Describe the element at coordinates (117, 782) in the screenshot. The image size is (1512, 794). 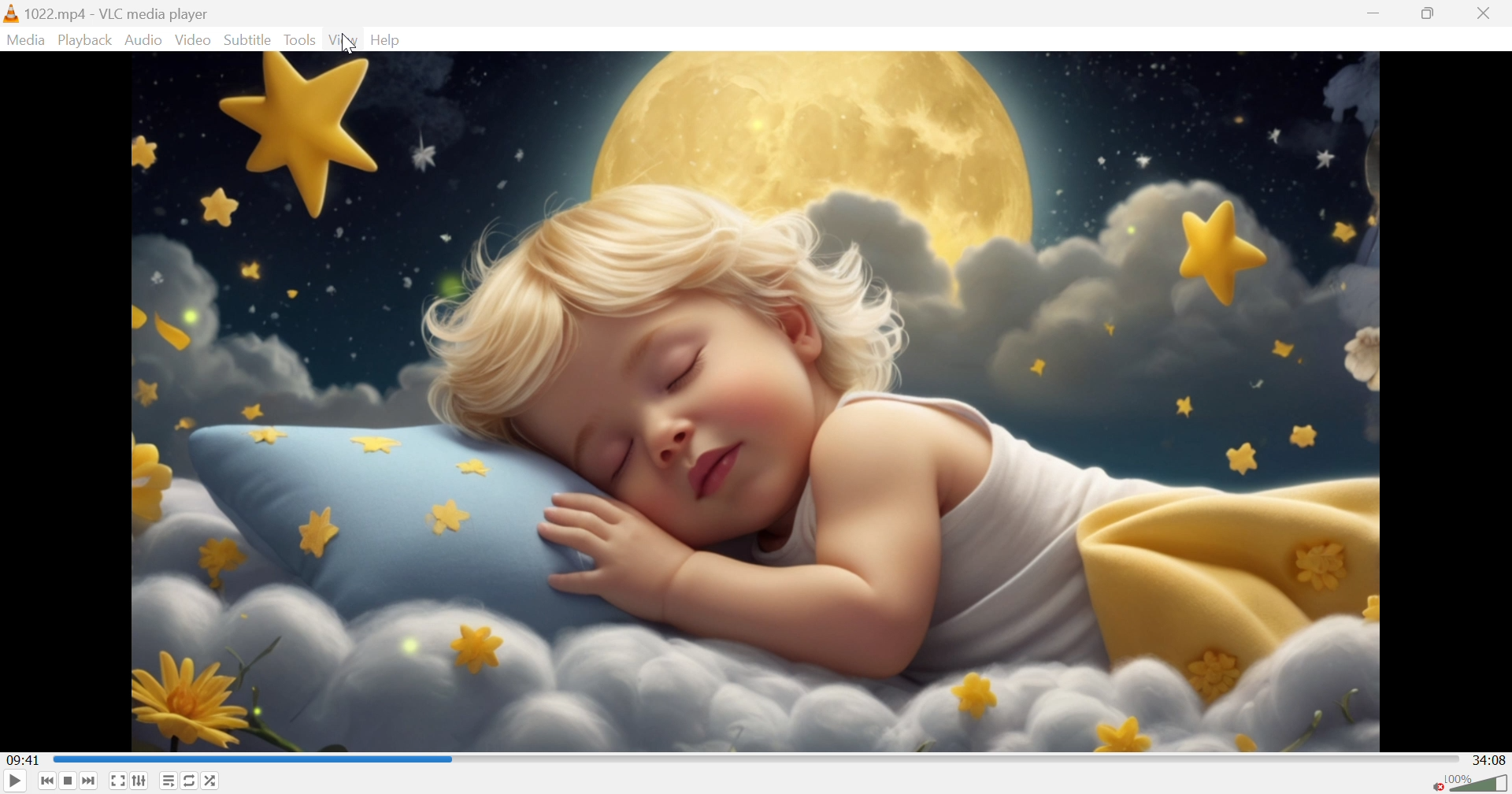
I see `Toggle the video in fullscreen` at that location.